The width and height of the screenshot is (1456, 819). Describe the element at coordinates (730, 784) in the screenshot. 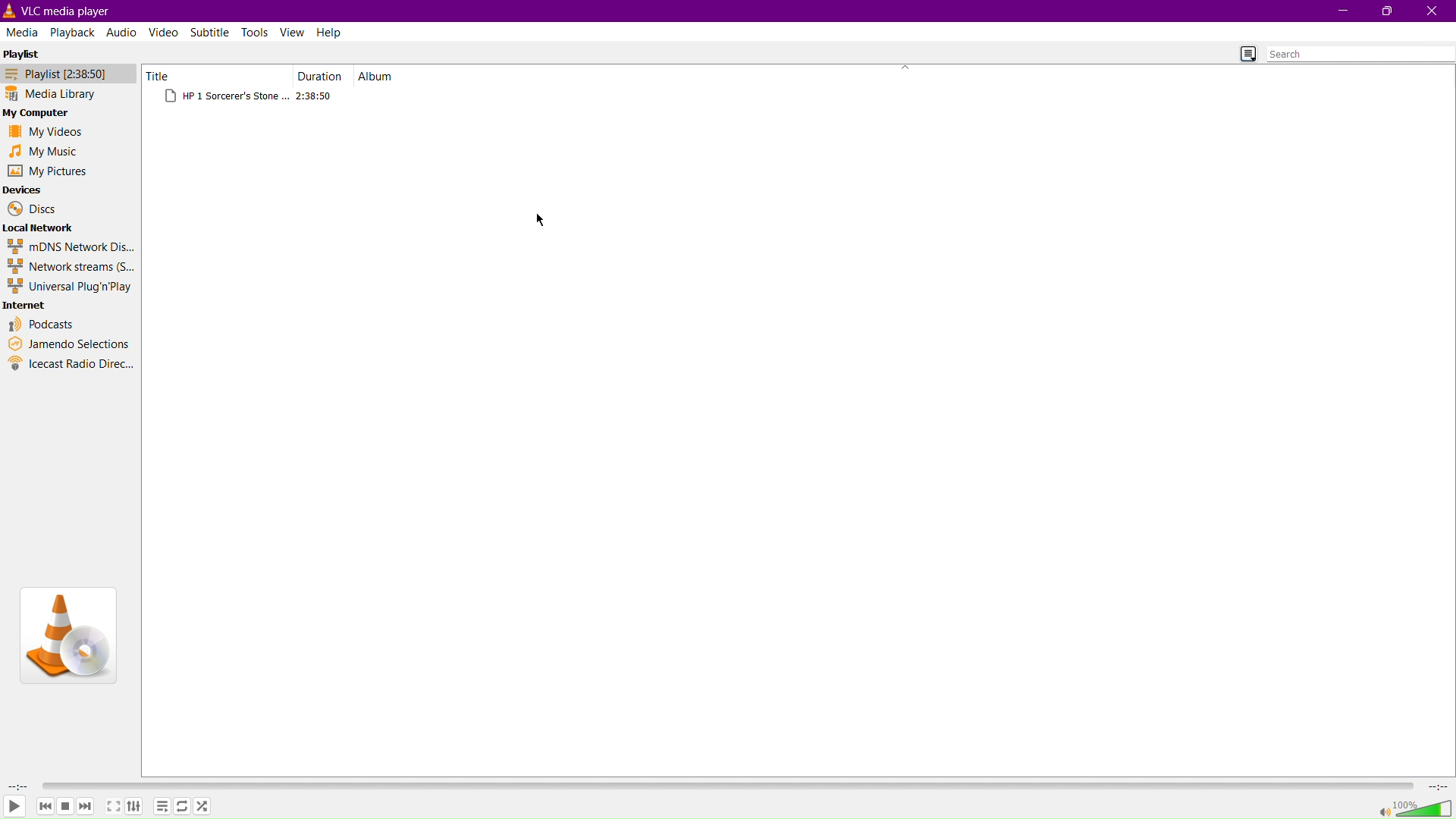

I see `Timeline` at that location.